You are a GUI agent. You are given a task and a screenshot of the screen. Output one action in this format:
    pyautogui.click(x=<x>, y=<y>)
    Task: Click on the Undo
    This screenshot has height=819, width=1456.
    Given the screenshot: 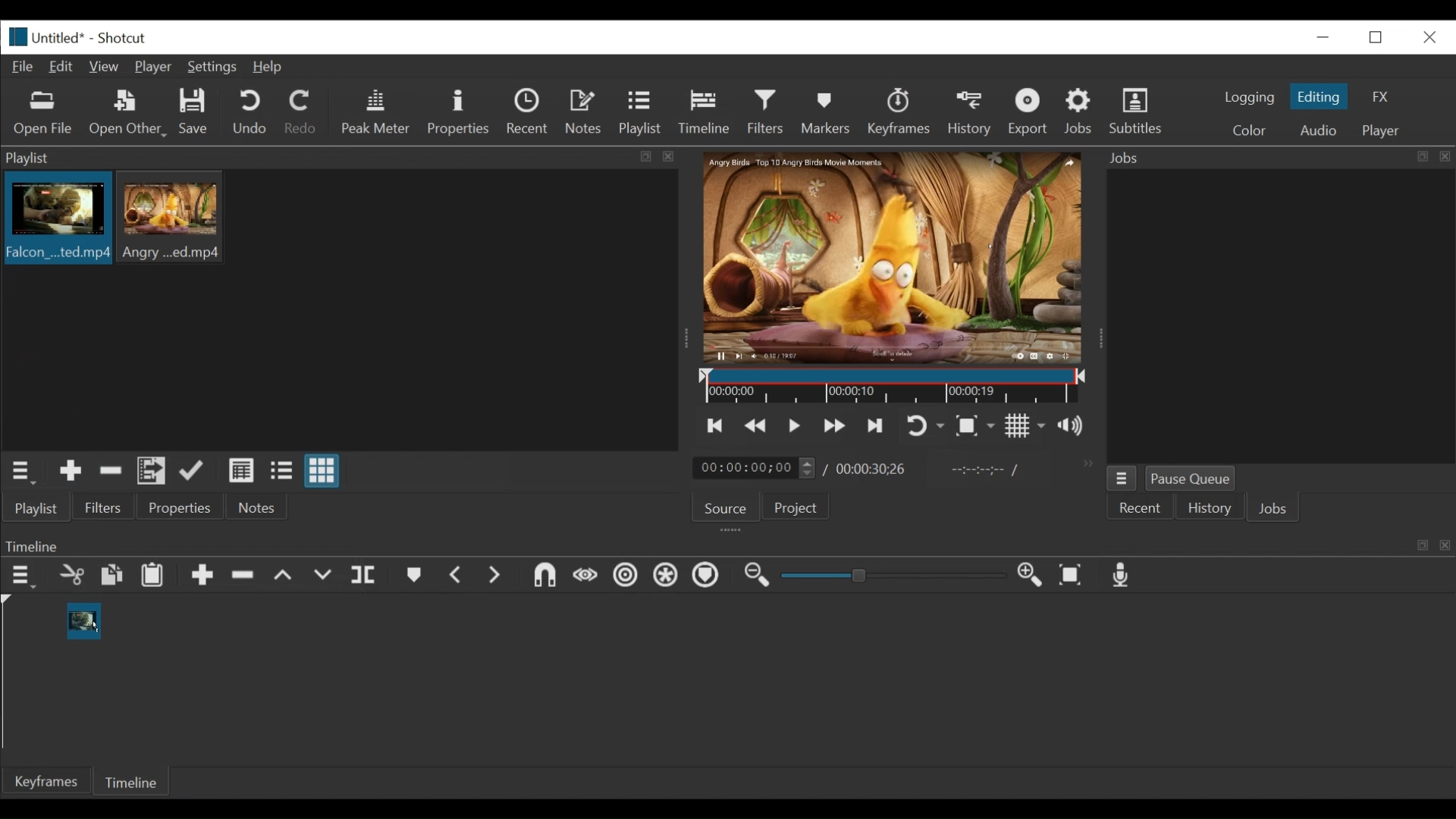 What is the action you would take?
    pyautogui.click(x=252, y=113)
    